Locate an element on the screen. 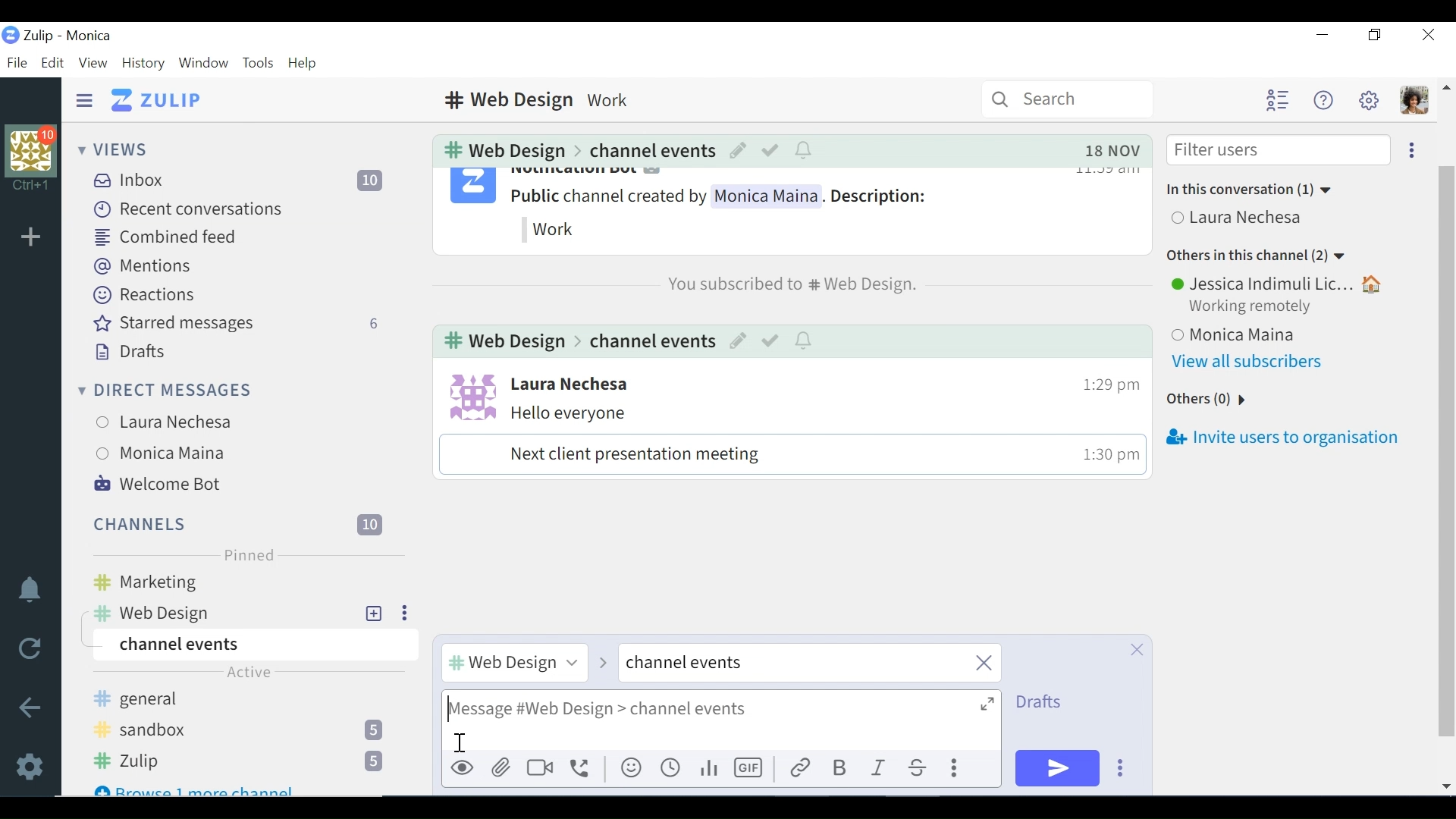  Add video call is located at coordinates (540, 768).